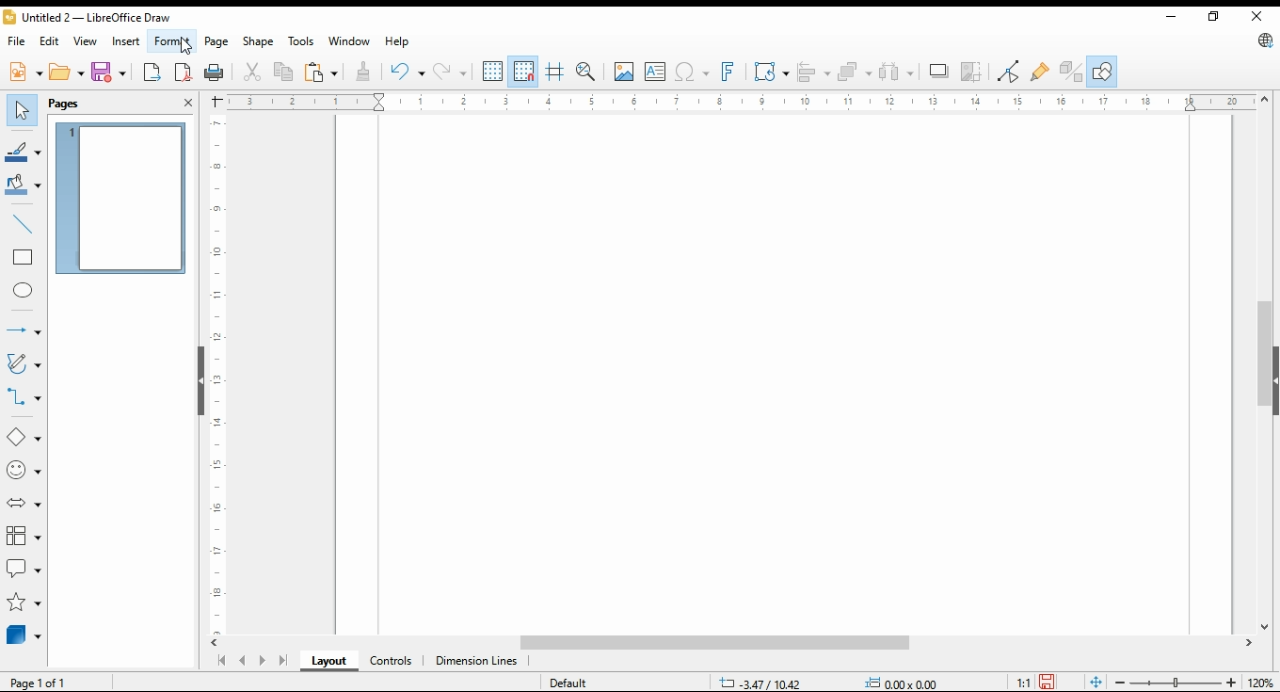 The image size is (1280, 692). Describe the element at coordinates (321, 71) in the screenshot. I see `paste` at that location.